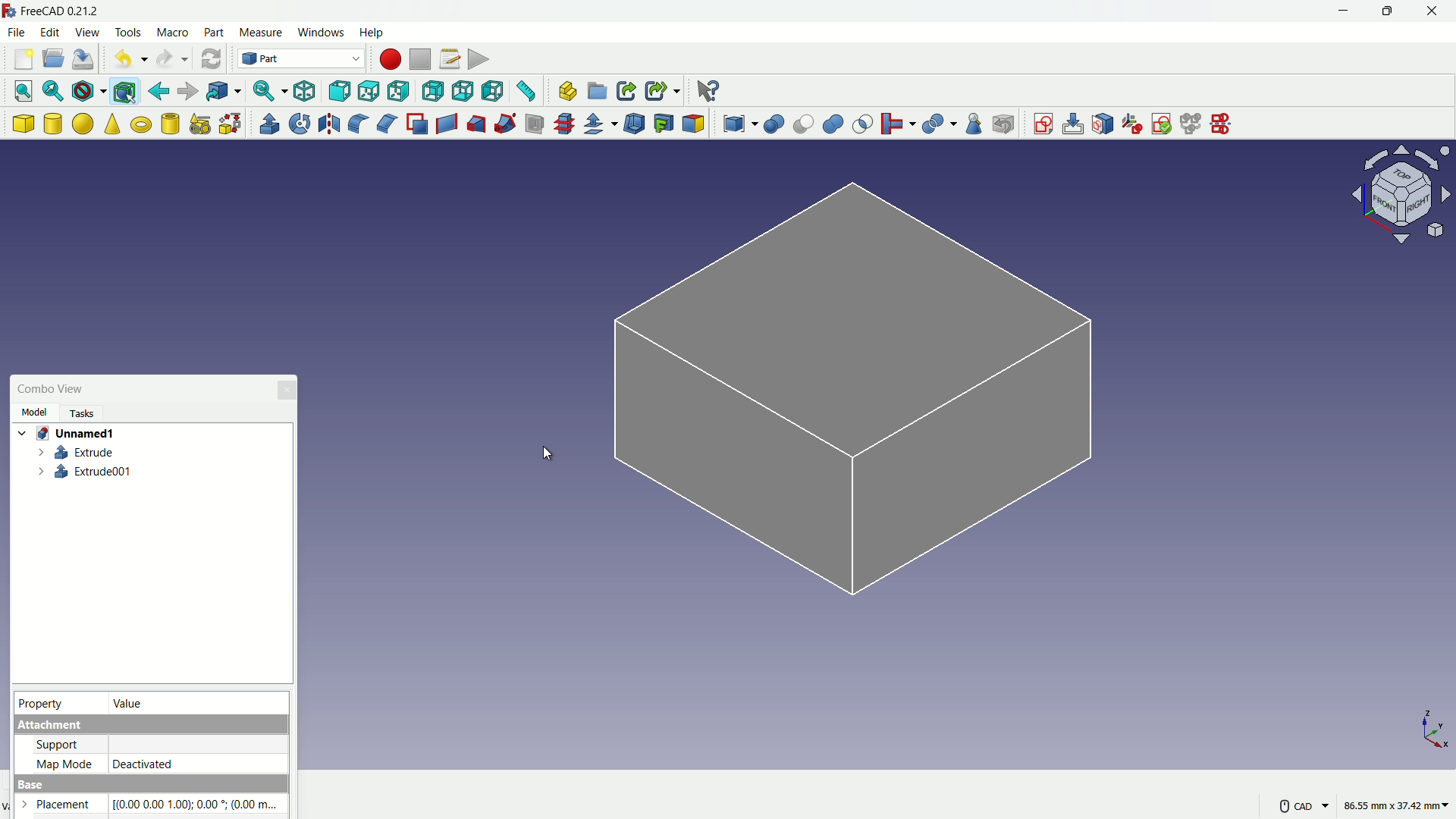 This screenshot has height=819, width=1456. What do you see at coordinates (432, 92) in the screenshot?
I see `back view` at bounding box center [432, 92].